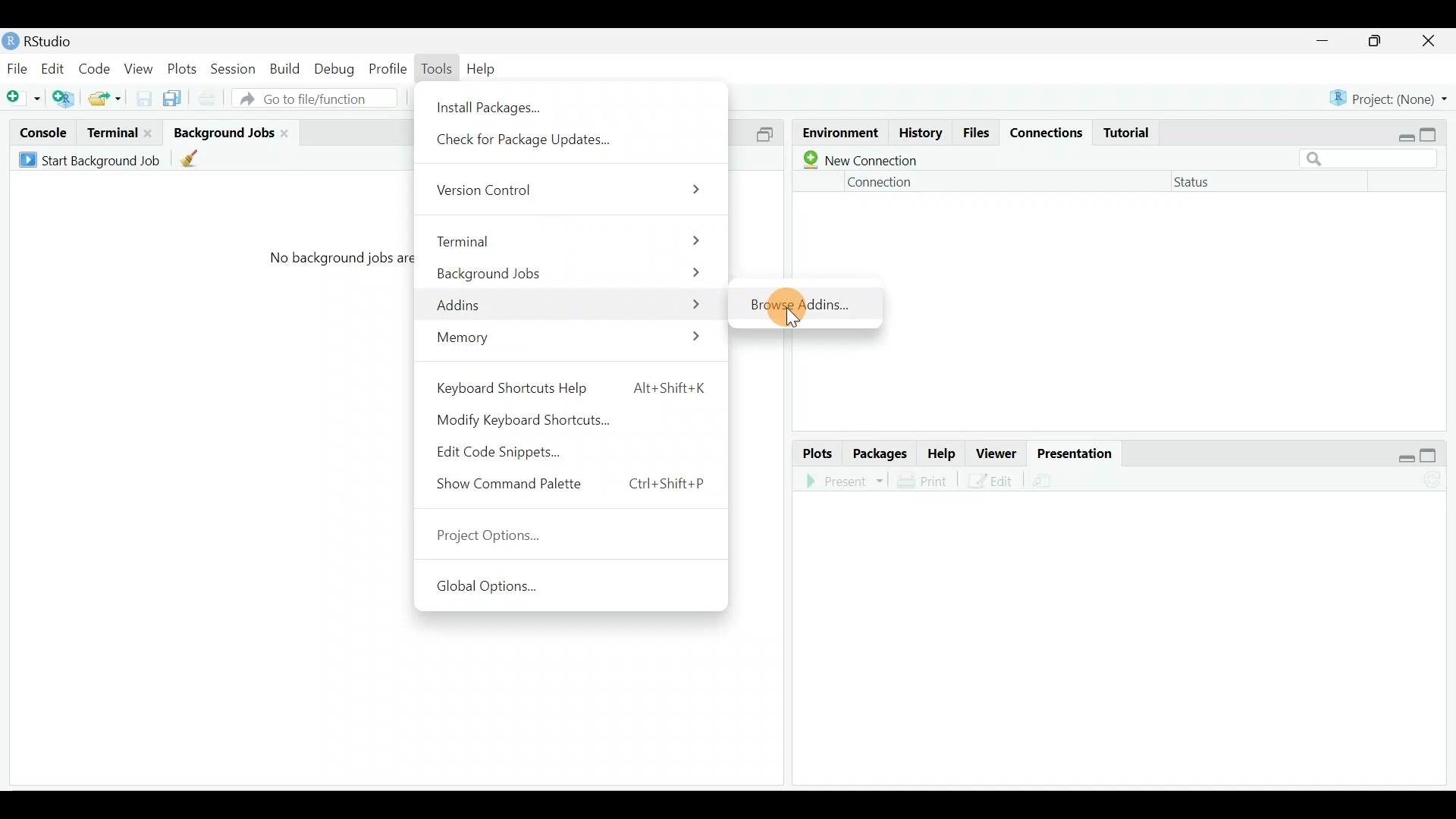 The height and width of the screenshot is (819, 1456). Describe the element at coordinates (17, 68) in the screenshot. I see `File` at that location.